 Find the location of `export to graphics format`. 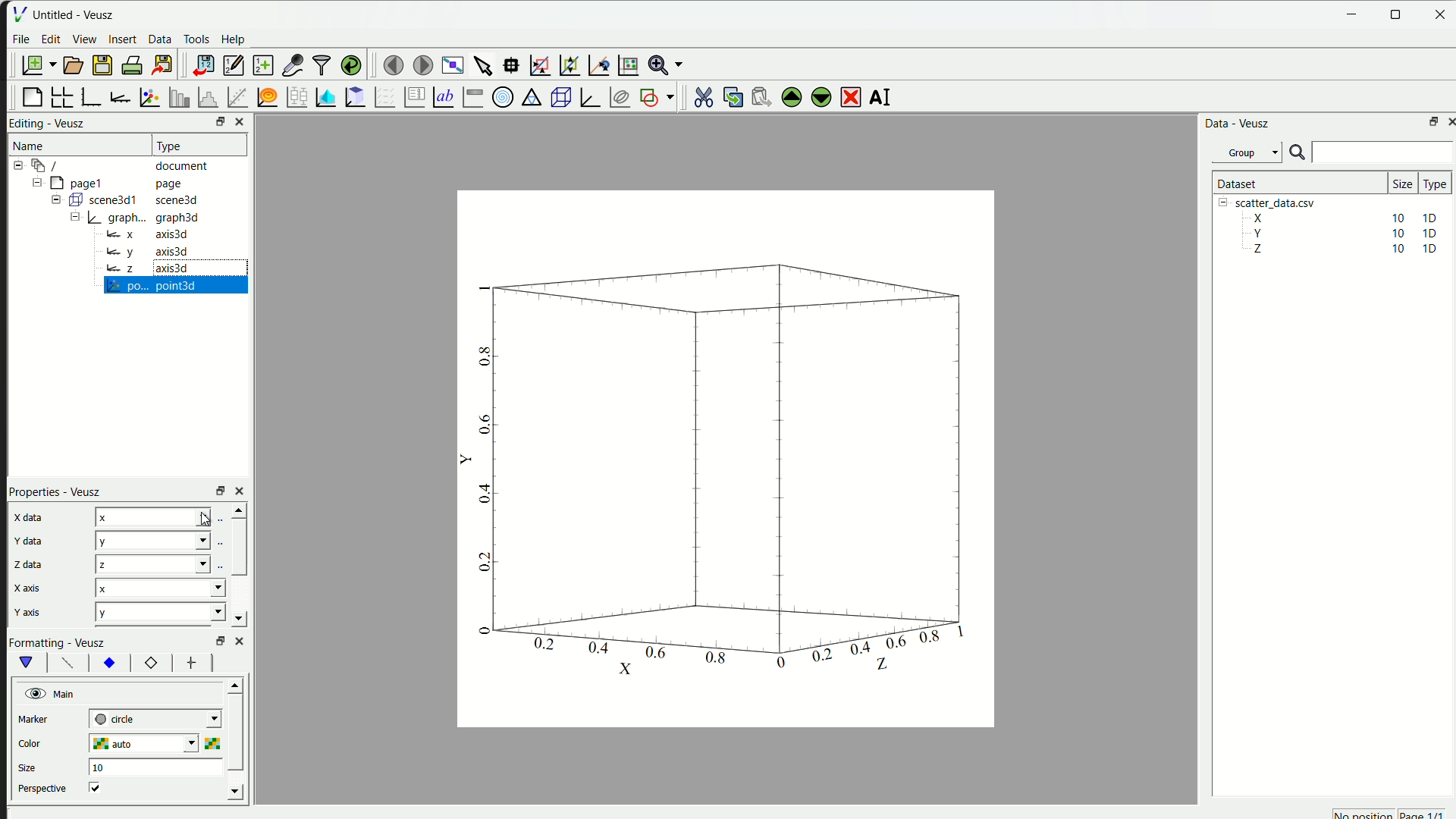

export to graphics format is located at coordinates (161, 63).